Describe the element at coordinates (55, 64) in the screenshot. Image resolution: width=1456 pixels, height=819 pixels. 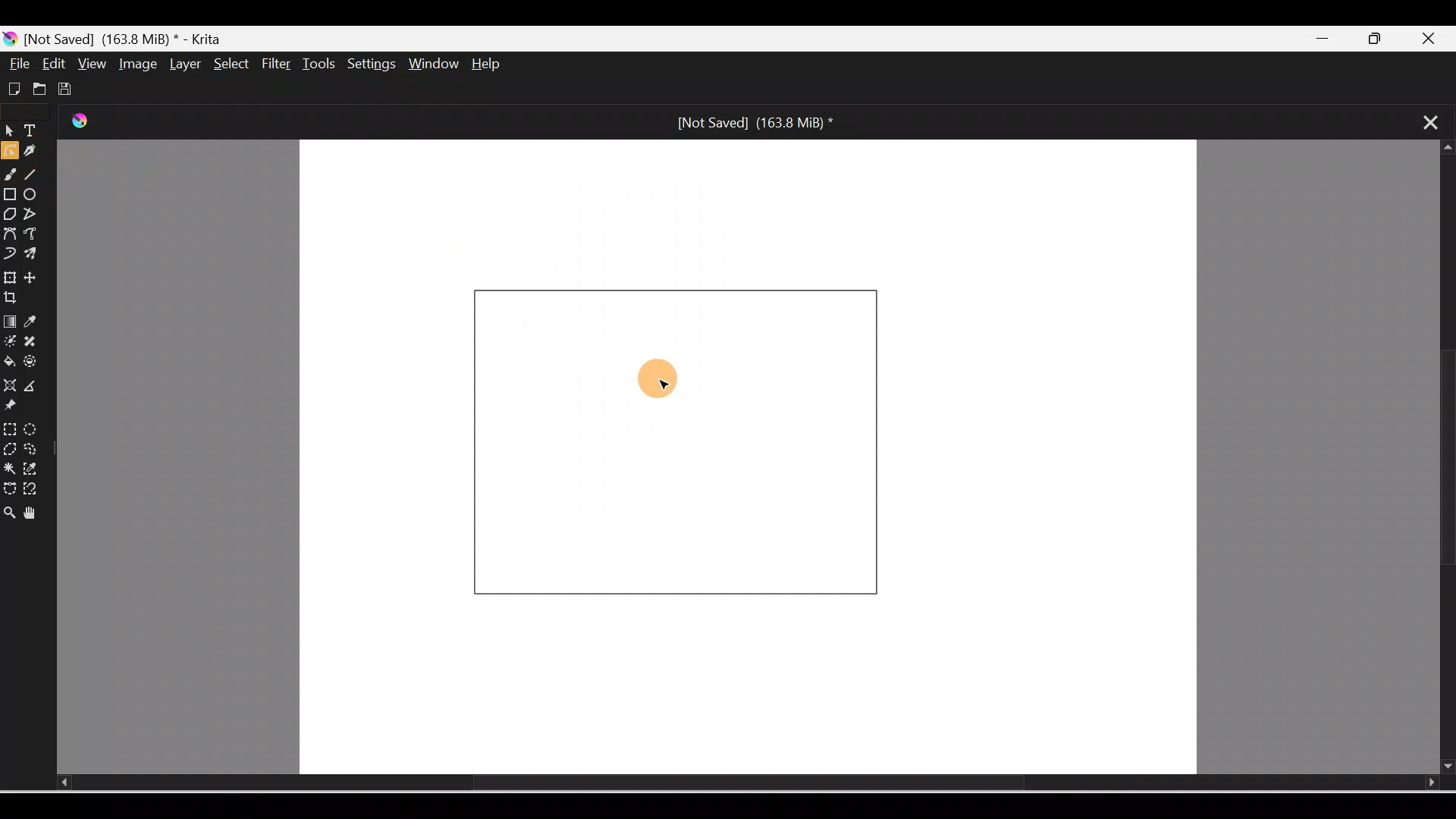
I see `Edit` at that location.